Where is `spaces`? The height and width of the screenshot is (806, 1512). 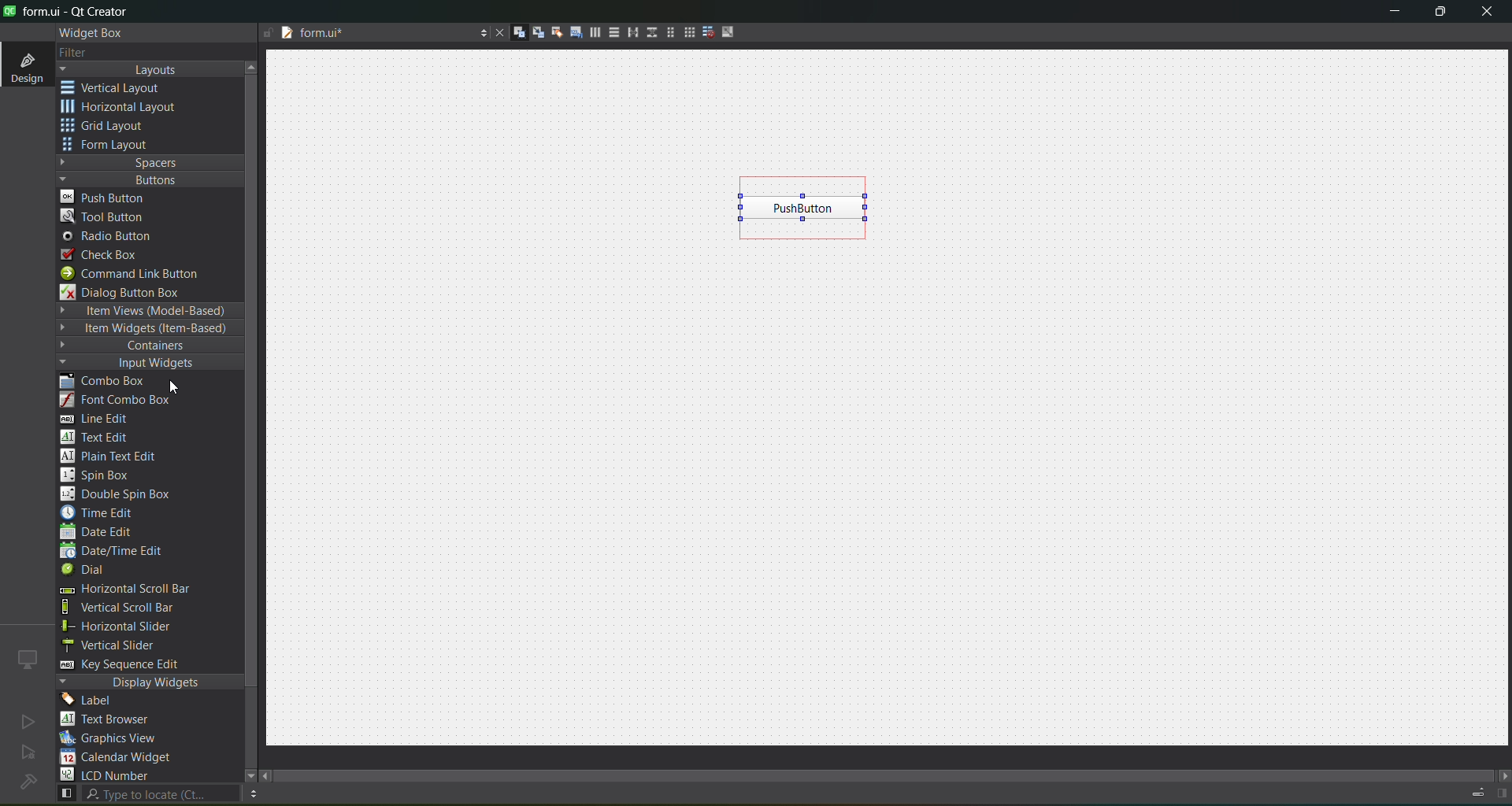
spaces is located at coordinates (150, 162).